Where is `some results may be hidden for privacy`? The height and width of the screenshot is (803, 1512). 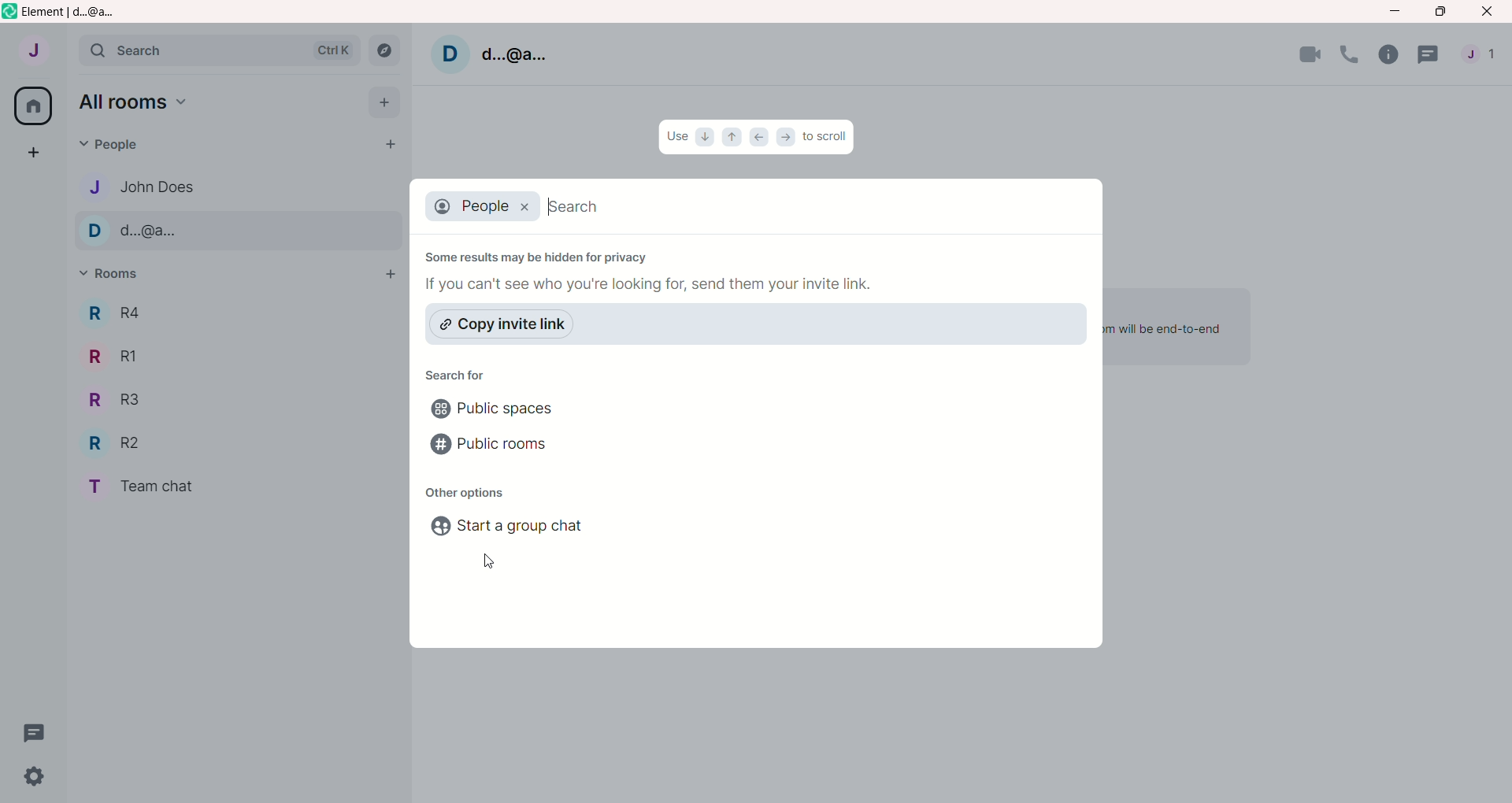 some results may be hidden for privacy is located at coordinates (541, 256).